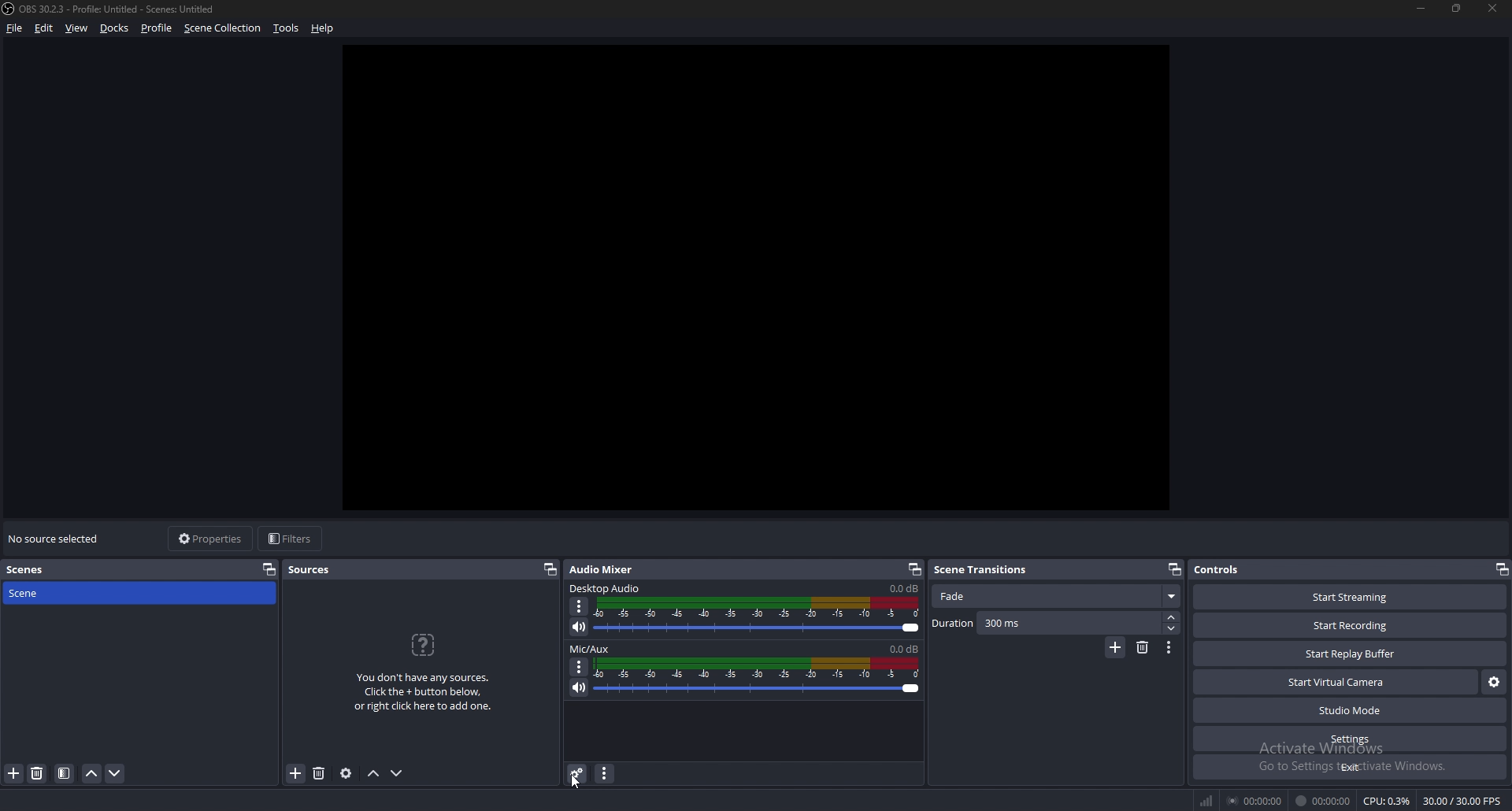 This screenshot has height=811, width=1512. Describe the element at coordinates (580, 687) in the screenshot. I see `mute` at that location.